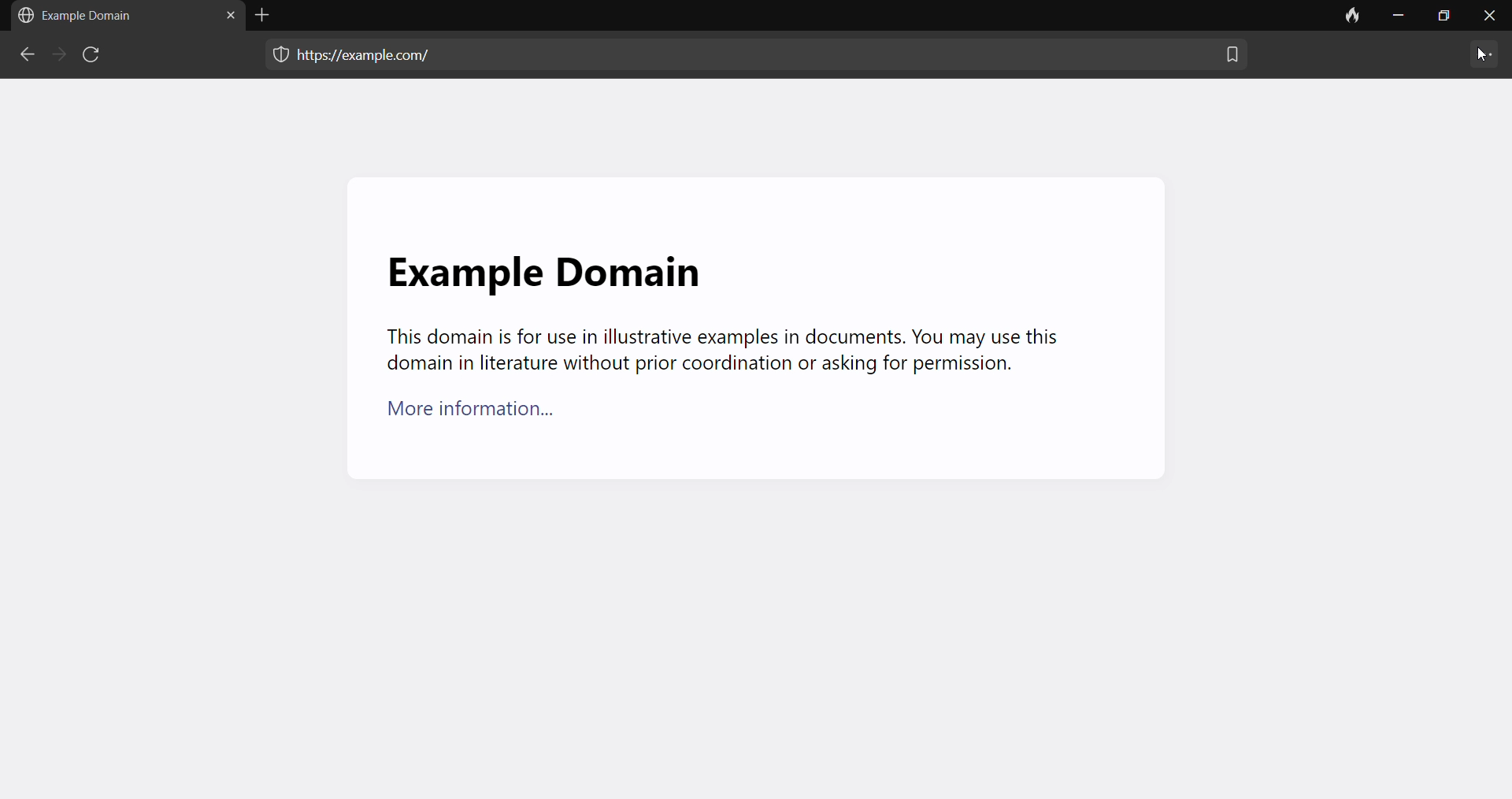  I want to click on backward, so click(25, 57).